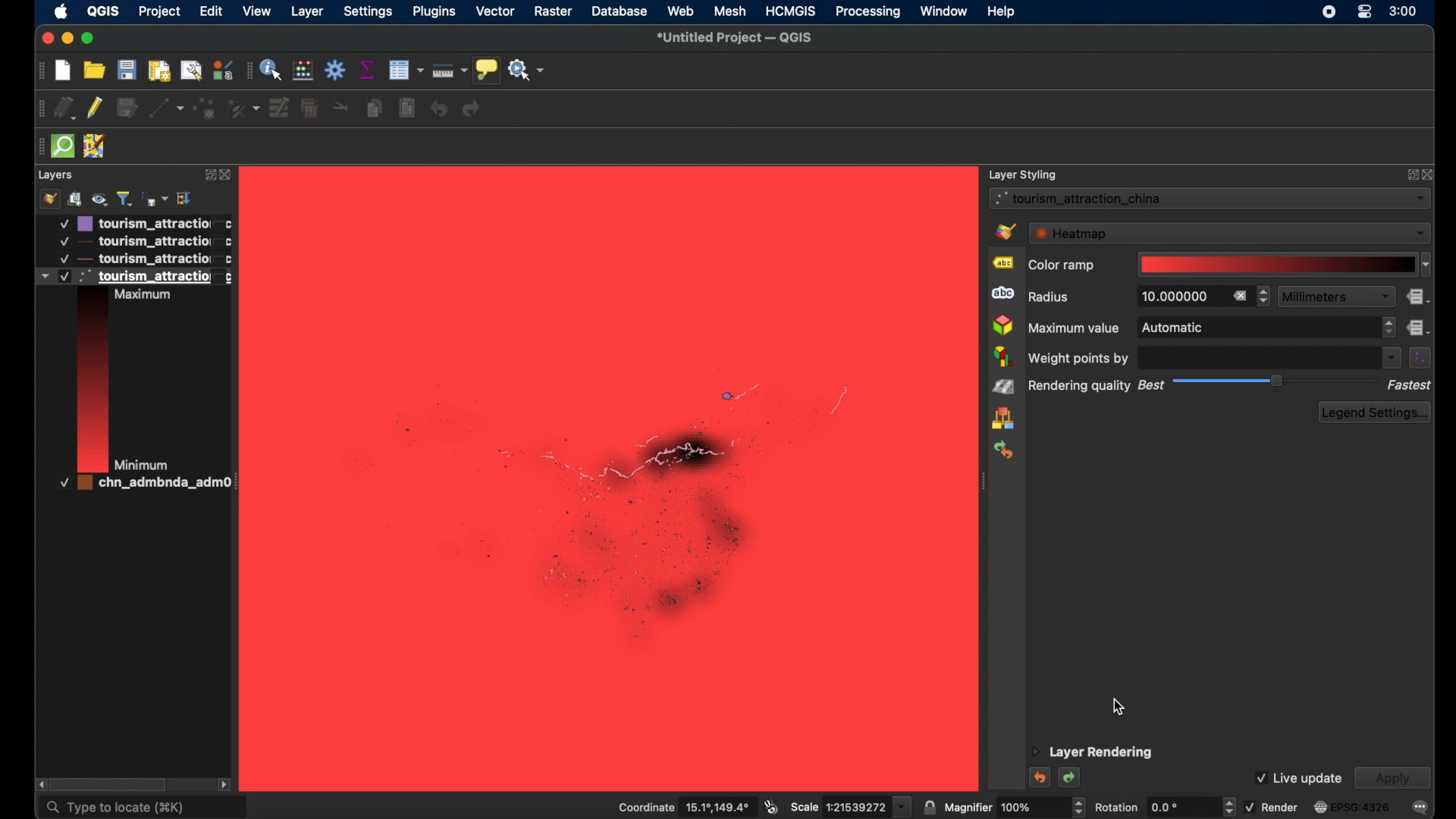 This screenshot has width=1456, height=819. Describe the element at coordinates (146, 464) in the screenshot. I see `minimum` at that location.